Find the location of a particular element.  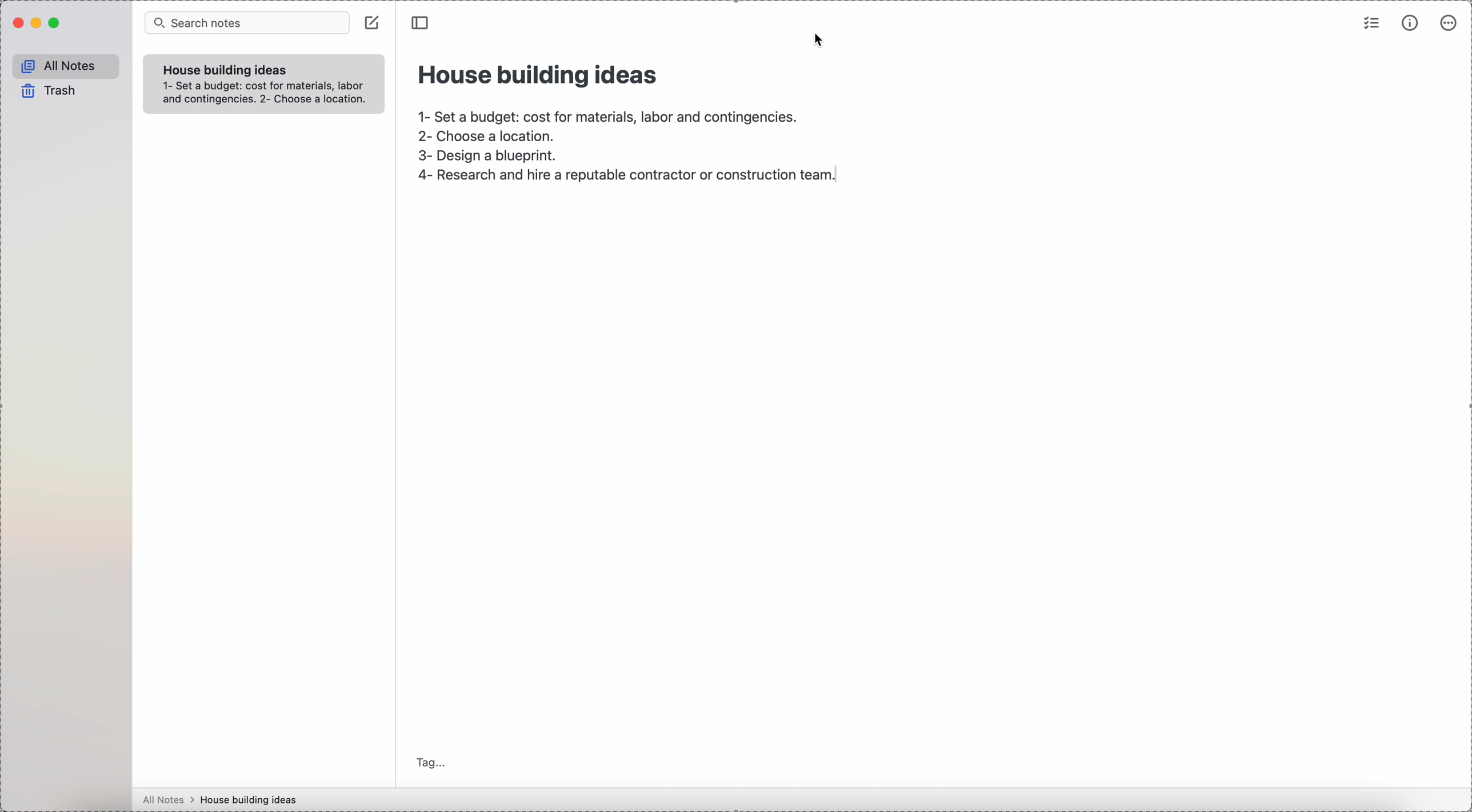

maximize Simplenote is located at coordinates (58, 23).